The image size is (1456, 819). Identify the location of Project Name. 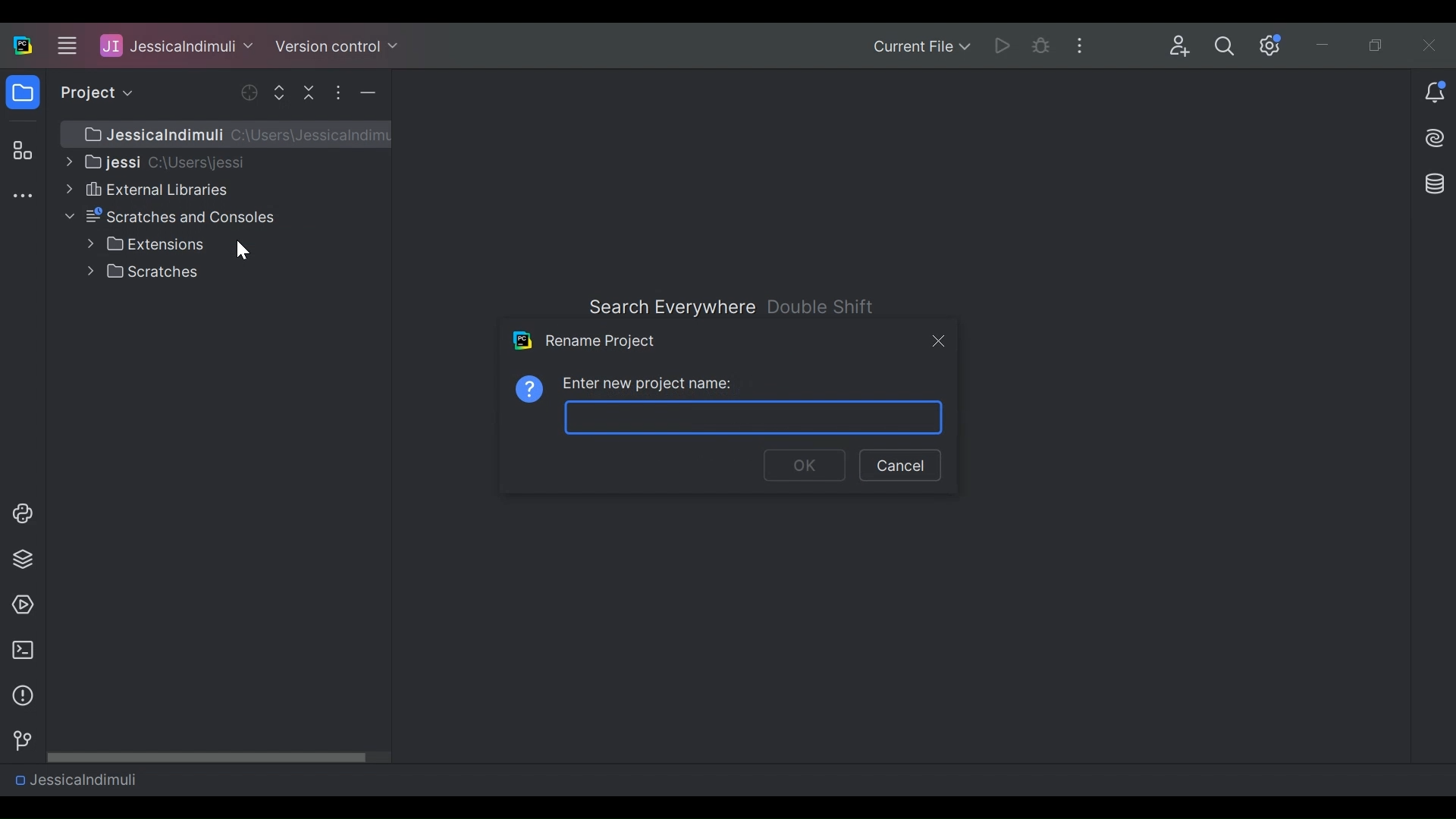
(75, 779).